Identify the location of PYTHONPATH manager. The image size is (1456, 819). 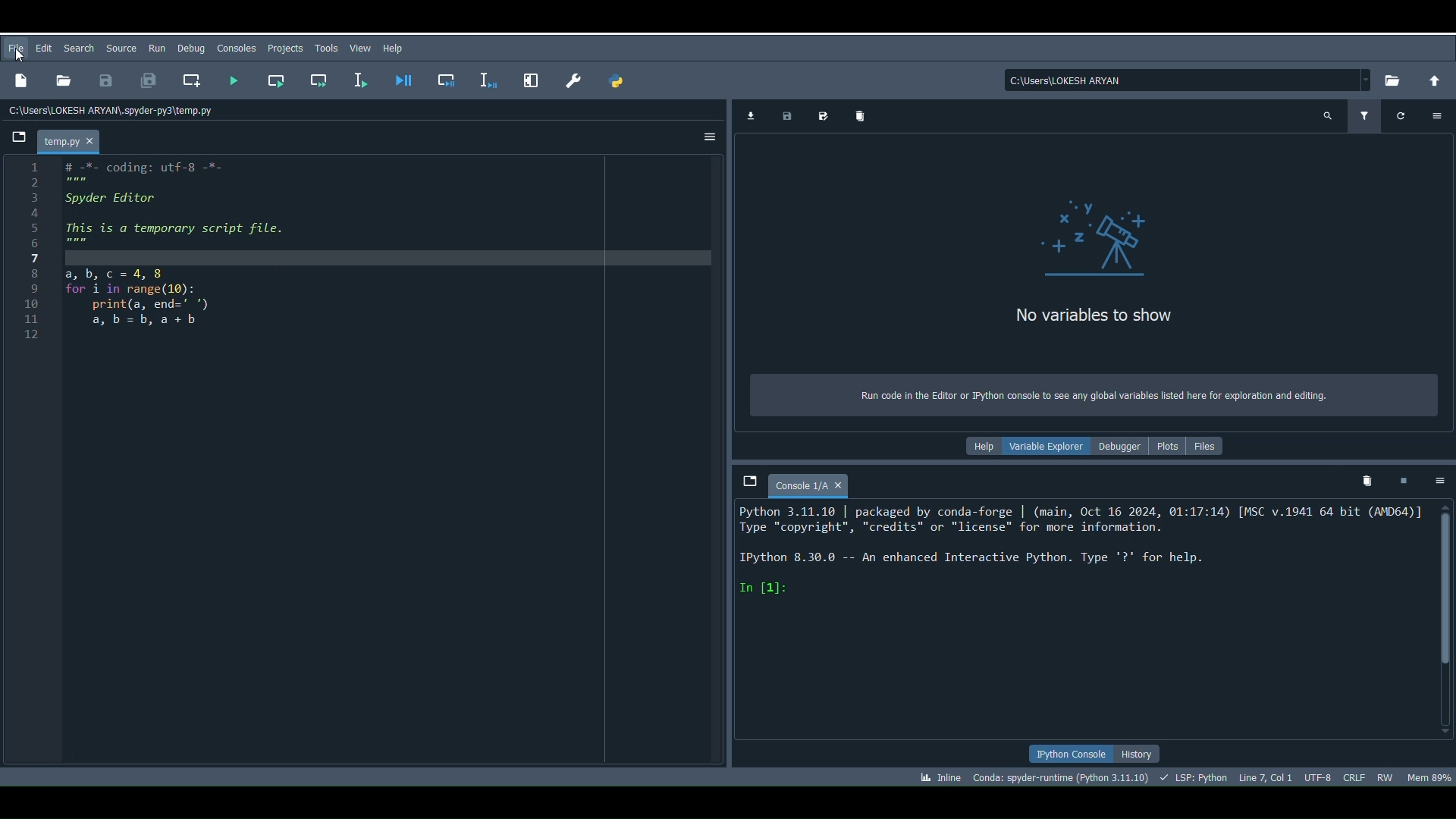
(616, 83).